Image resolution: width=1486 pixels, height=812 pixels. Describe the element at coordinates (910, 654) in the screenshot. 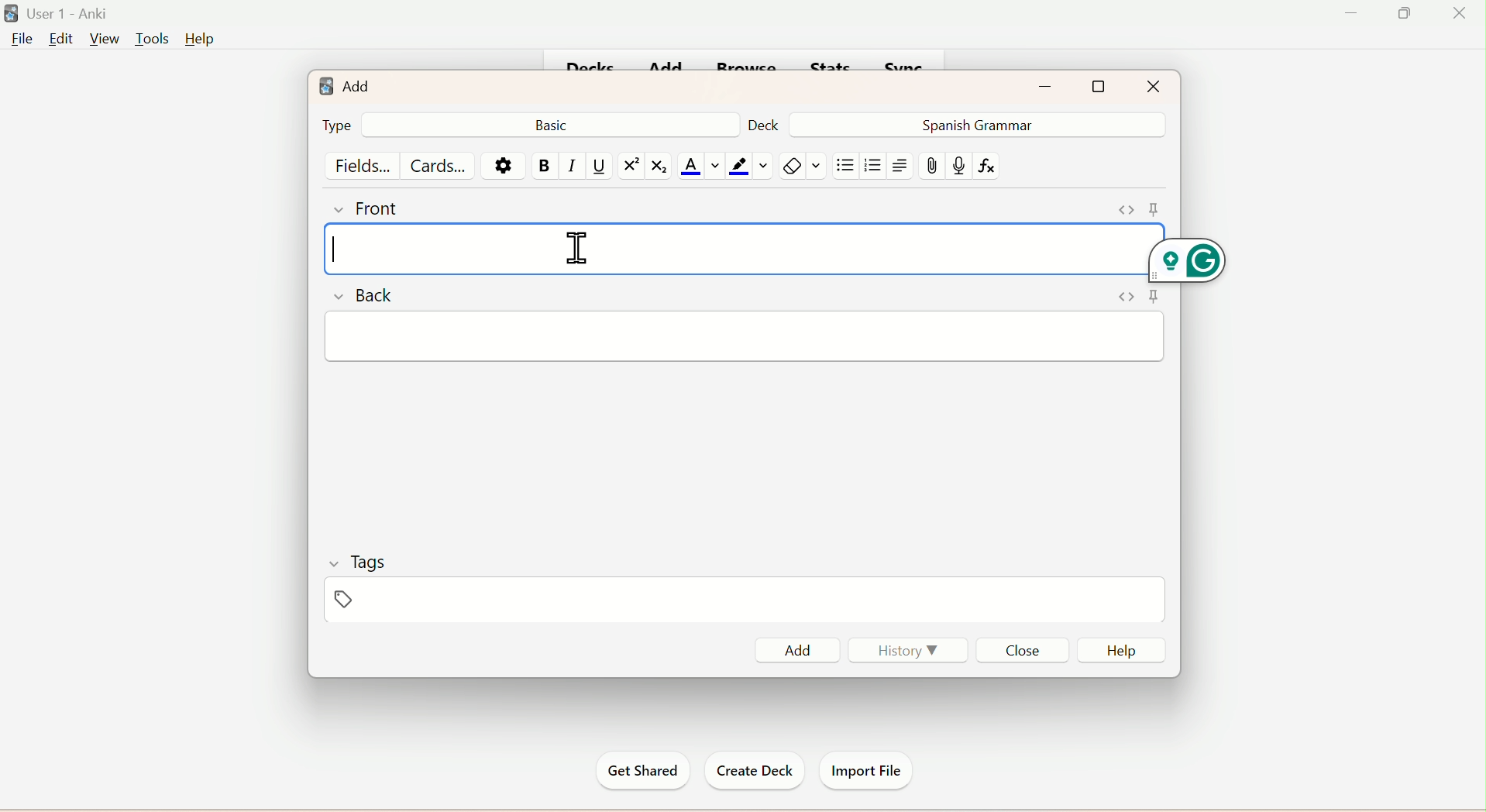

I see `History` at that location.